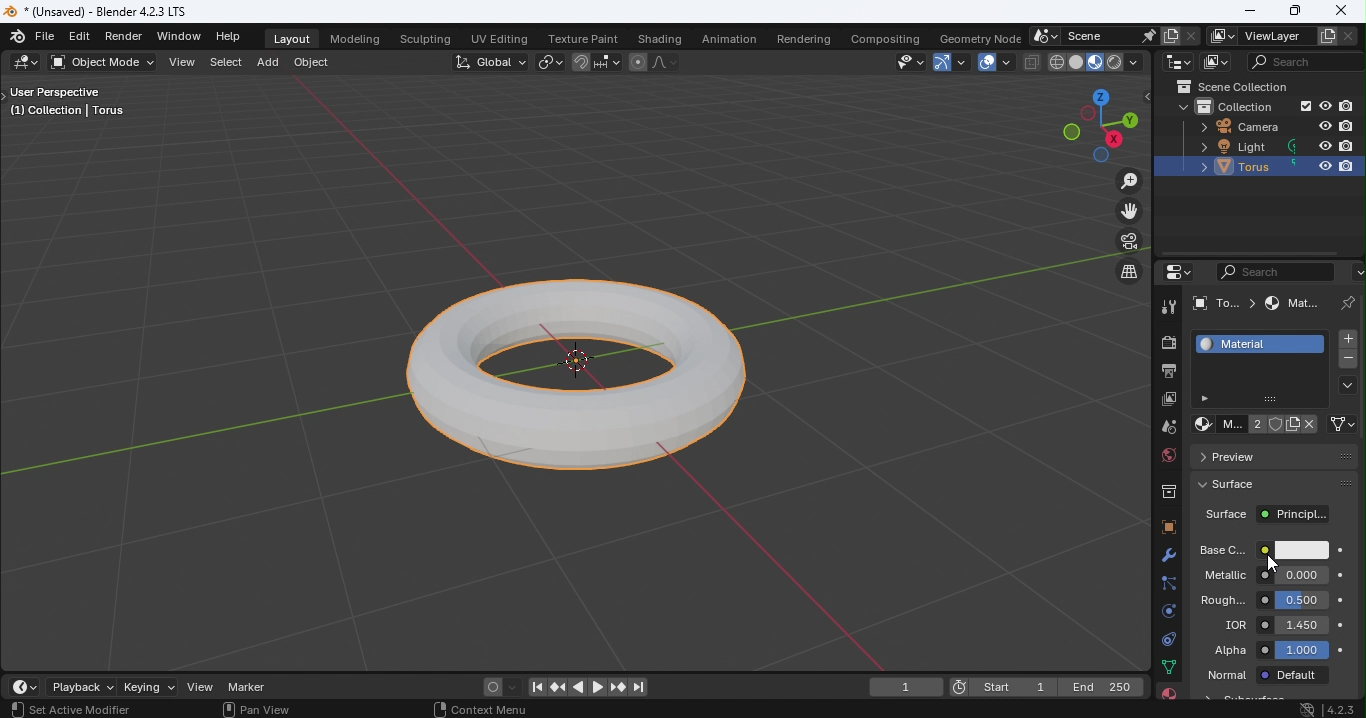 This screenshot has width=1366, height=718. Describe the element at coordinates (1164, 343) in the screenshot. I see `Render` at that location.